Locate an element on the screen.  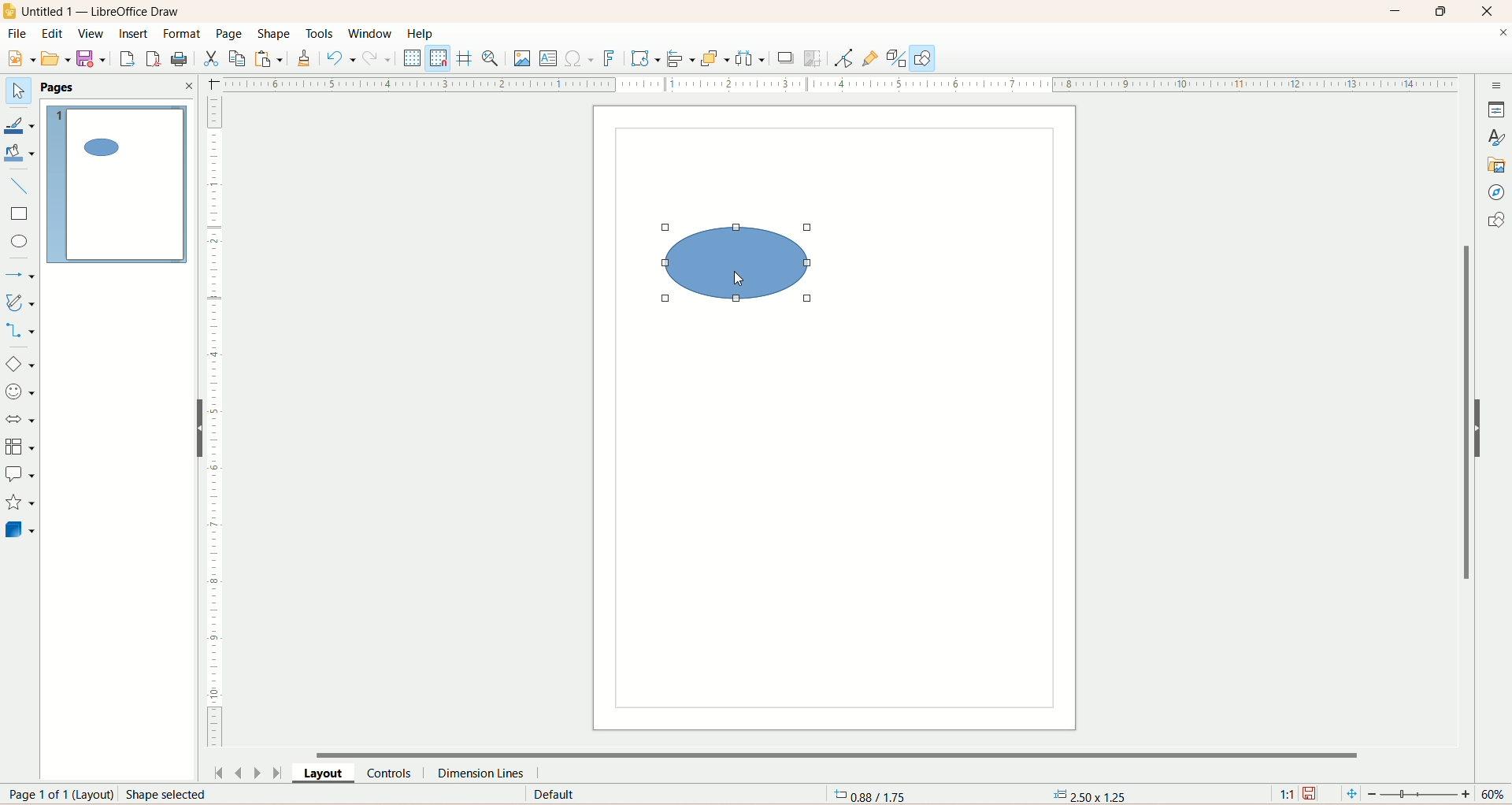
controls is located at coordinates (393, 773).